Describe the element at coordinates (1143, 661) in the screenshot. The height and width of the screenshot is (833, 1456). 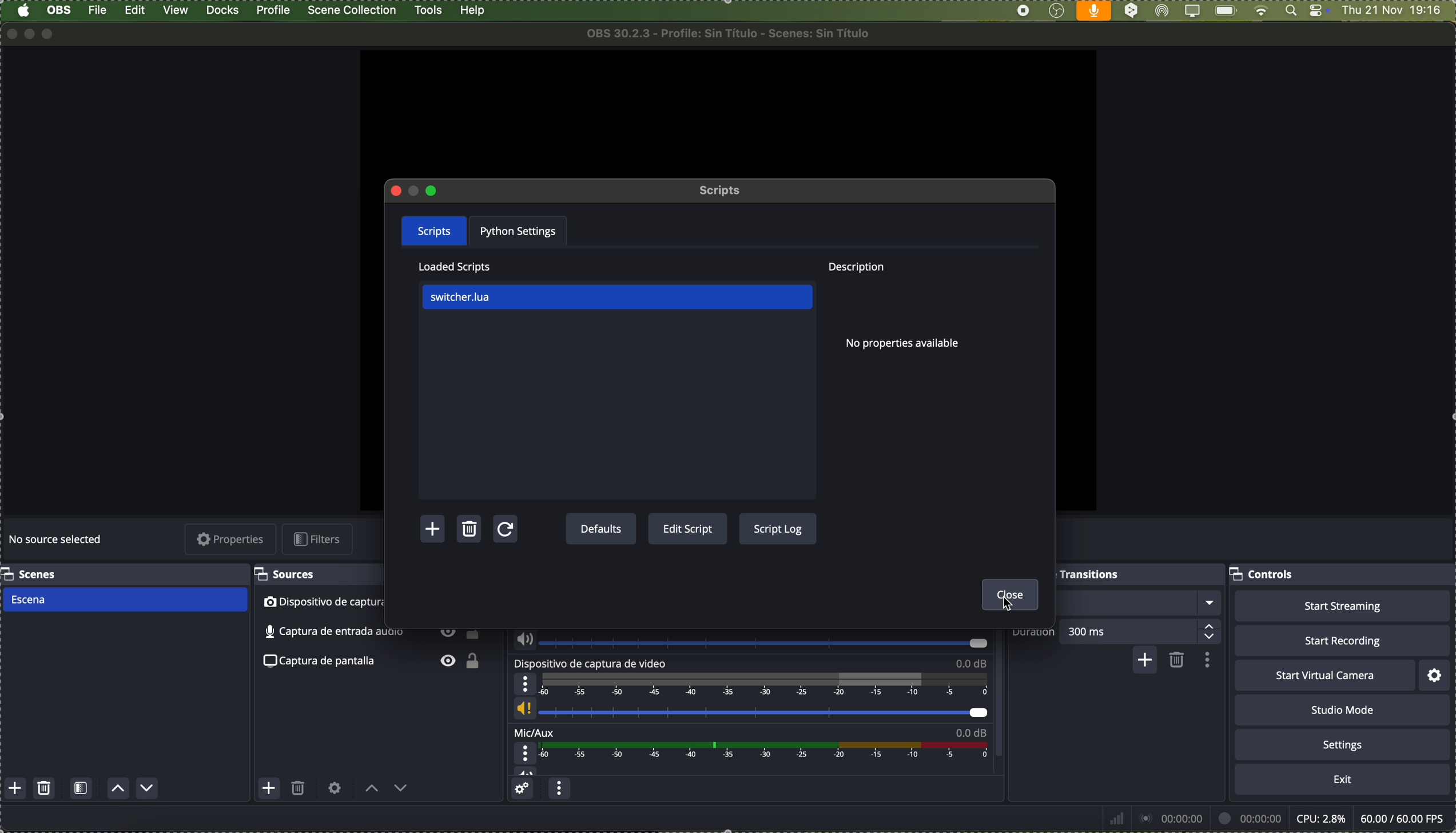
I see `add configurable transition` at that location.